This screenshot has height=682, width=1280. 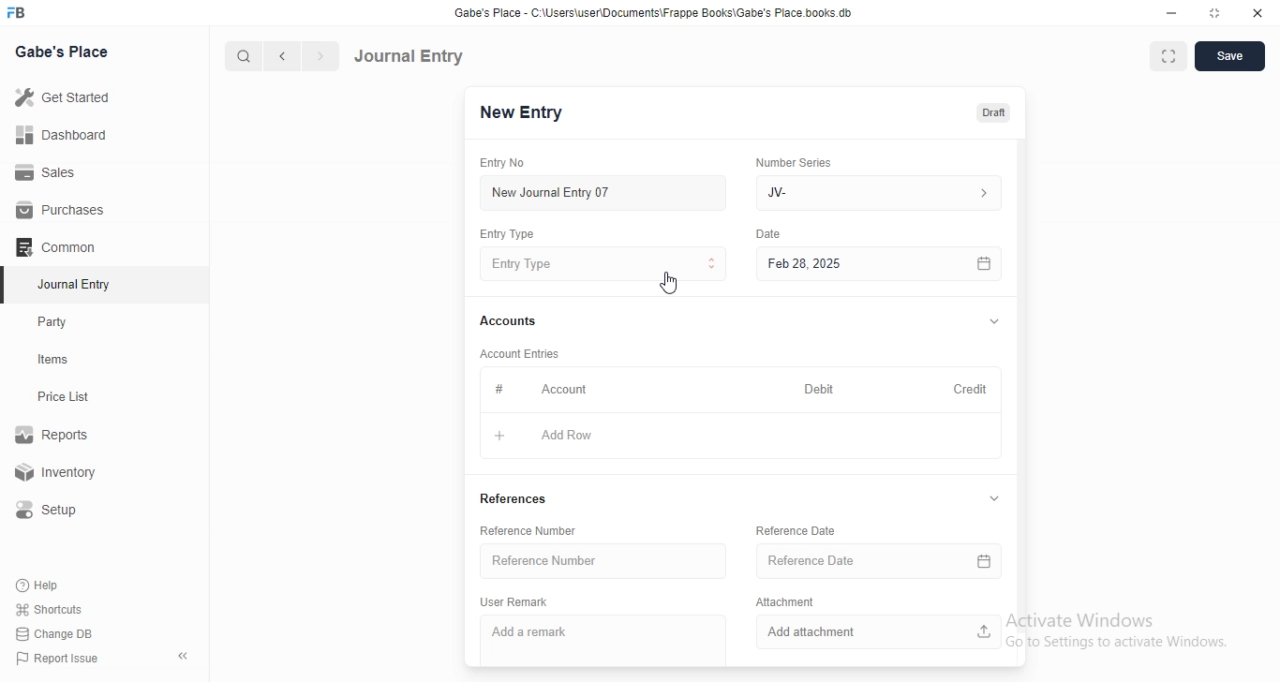 What do you see at coordinates (1213, 12) in the screenshot?
I see `restore` at bounding box center [1213, 12].